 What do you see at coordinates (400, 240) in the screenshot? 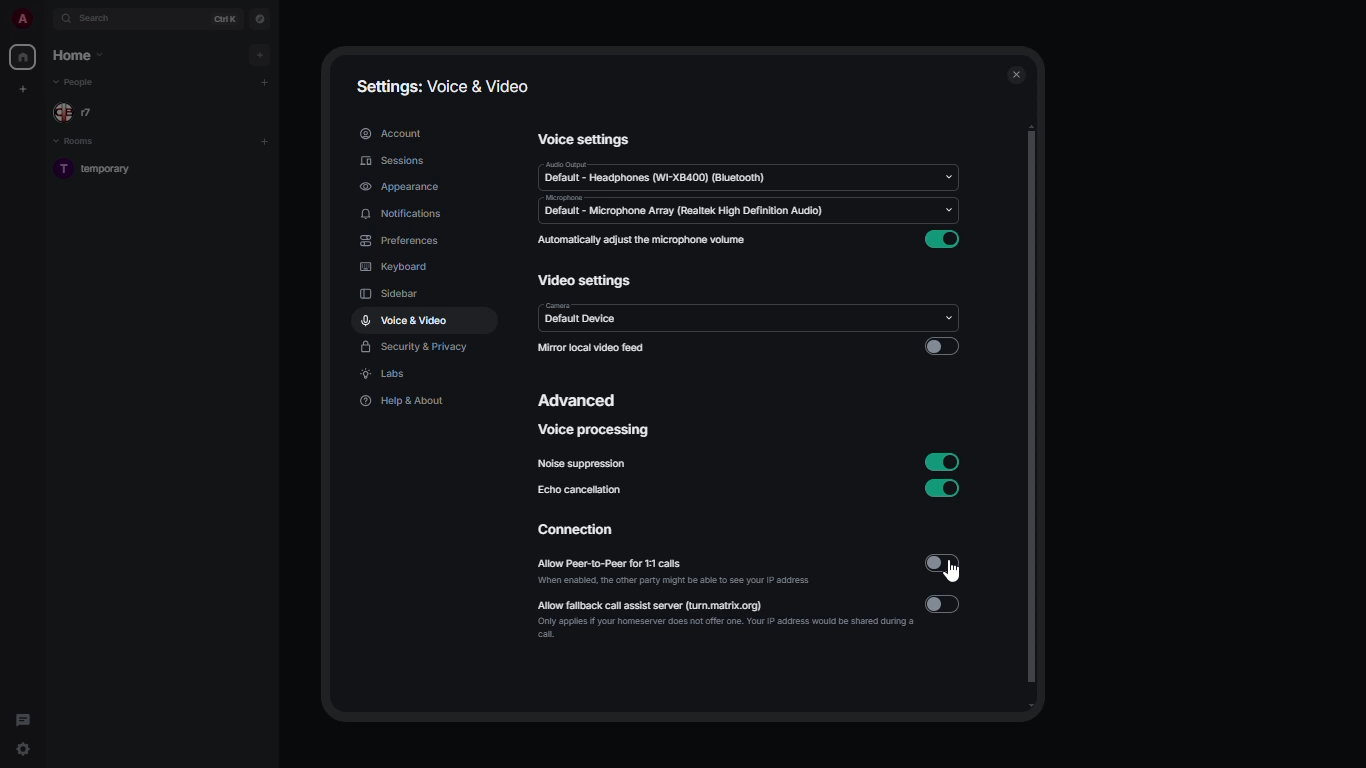
I see `preferences` at bounding box center [400, 240].